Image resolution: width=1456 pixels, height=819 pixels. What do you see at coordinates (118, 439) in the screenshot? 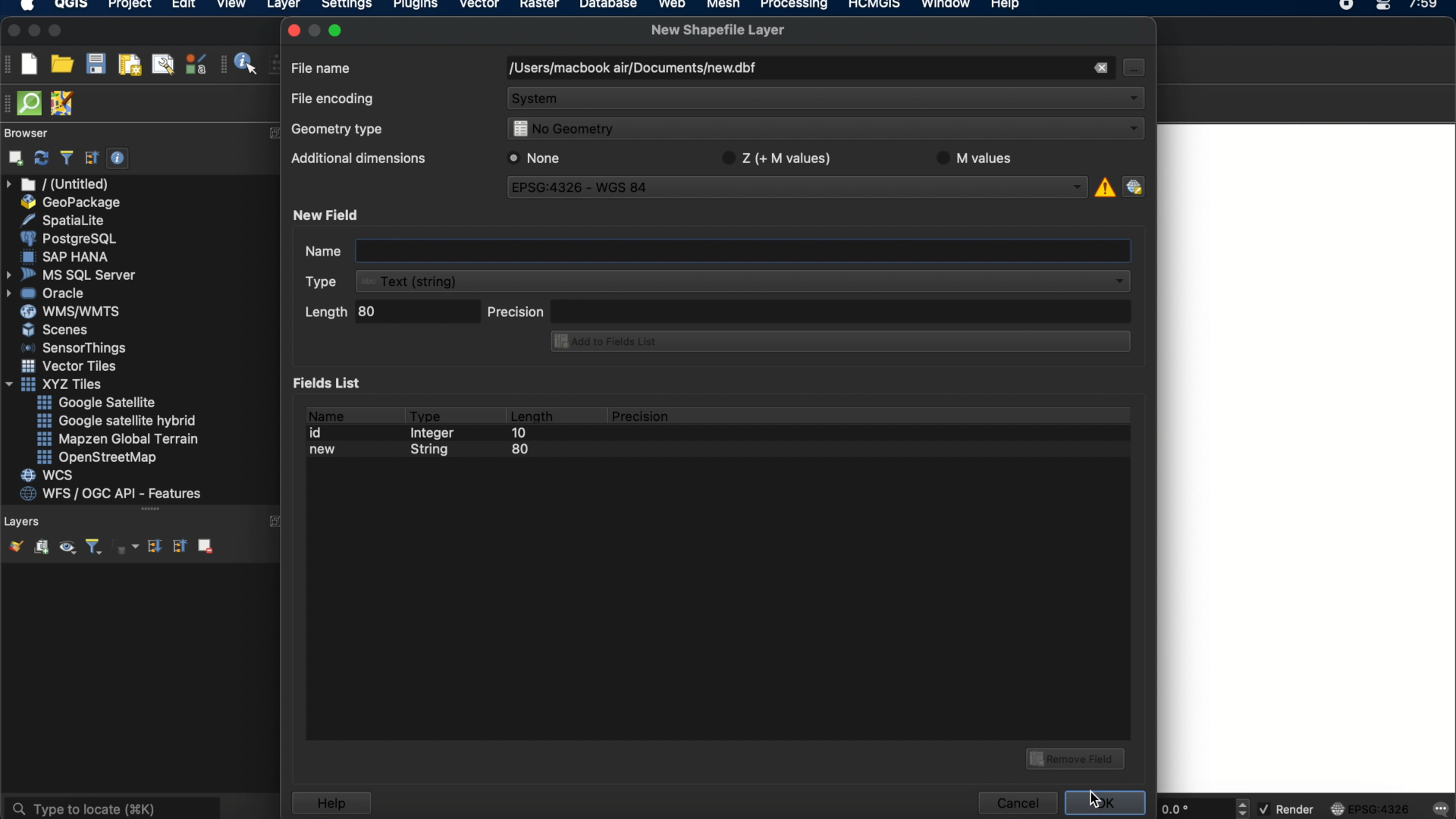
I see `mapzen global terrain` at bounding box center [118, 439].